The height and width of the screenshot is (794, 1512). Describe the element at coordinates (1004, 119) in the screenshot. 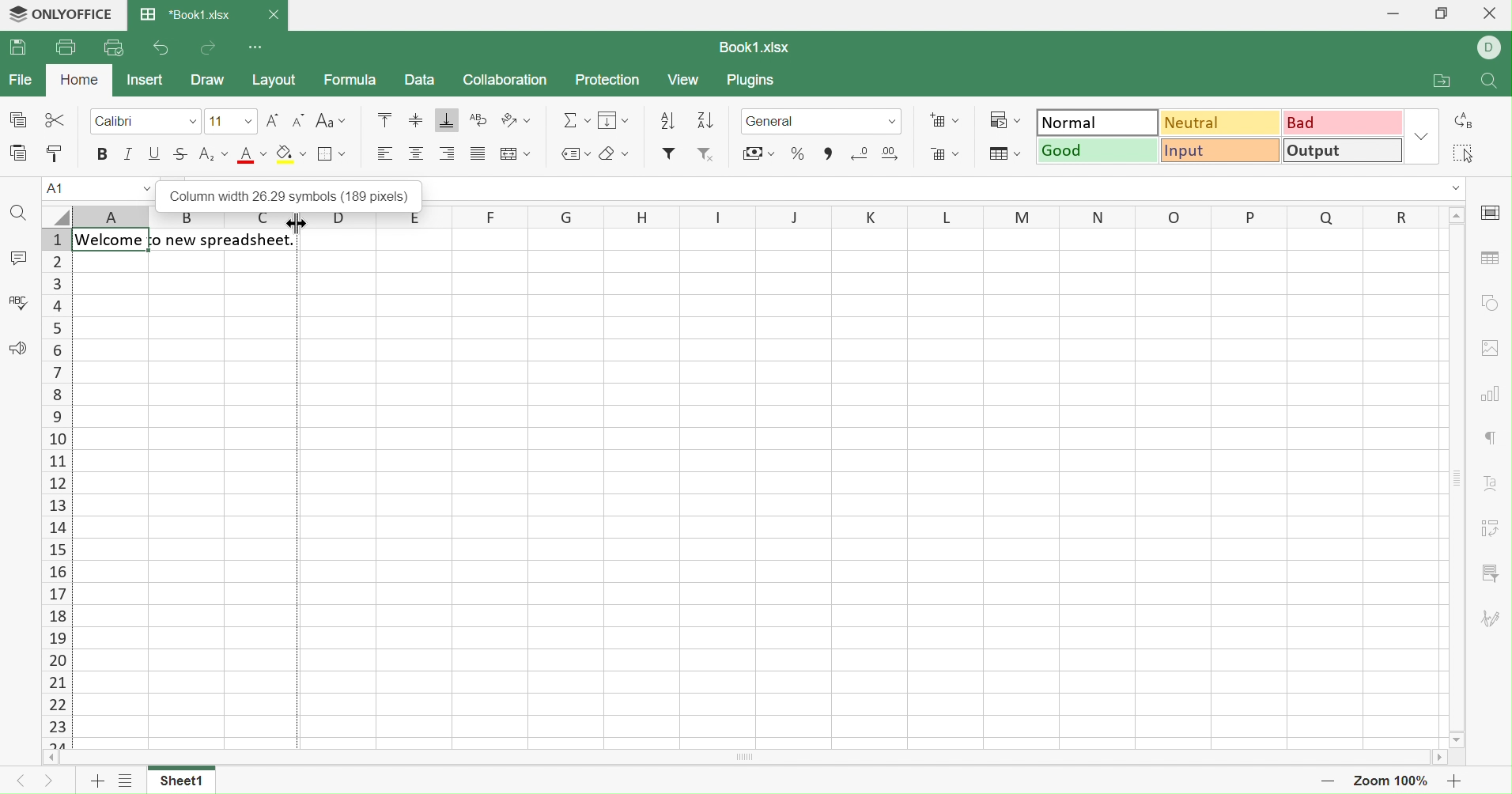

I see `Conditional formatting` at that location.